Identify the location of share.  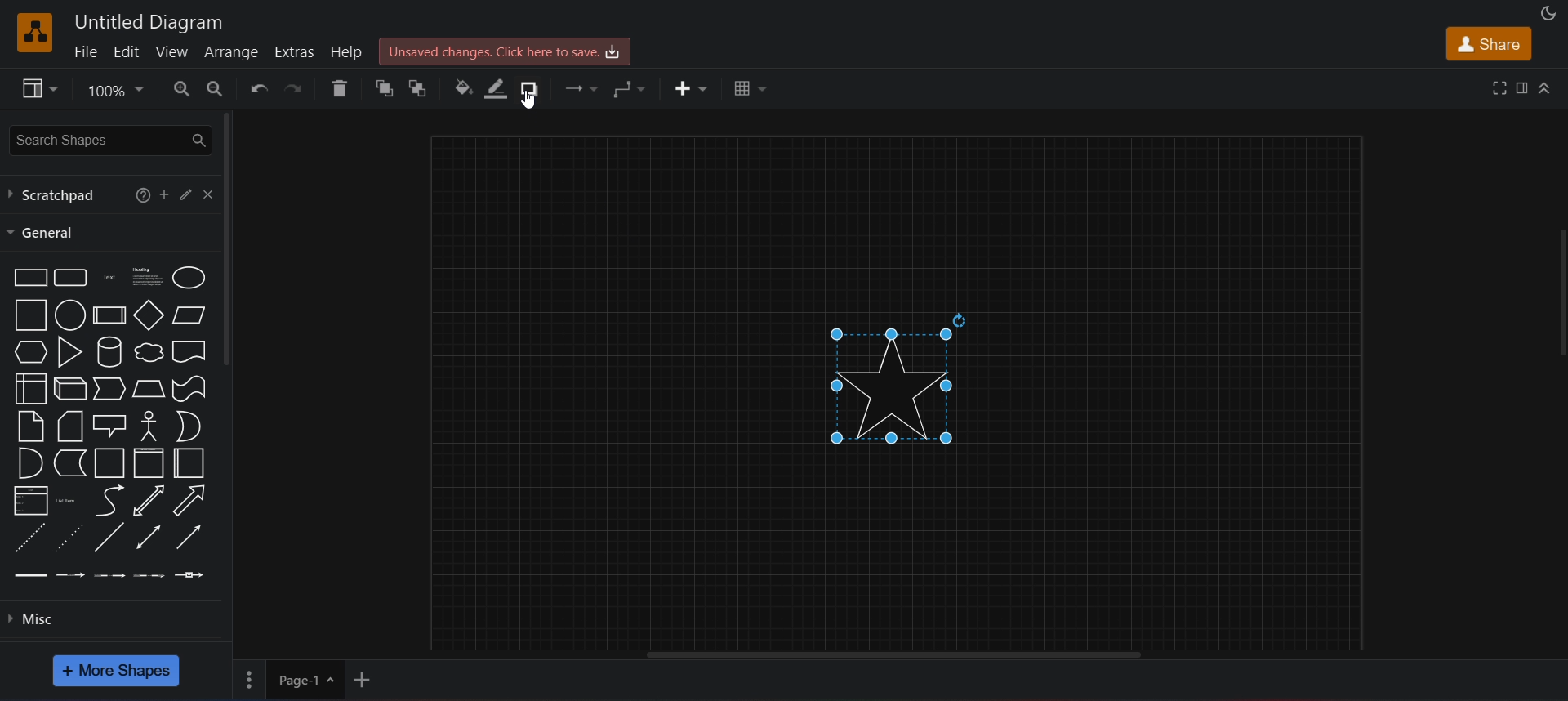
(1488, 43).